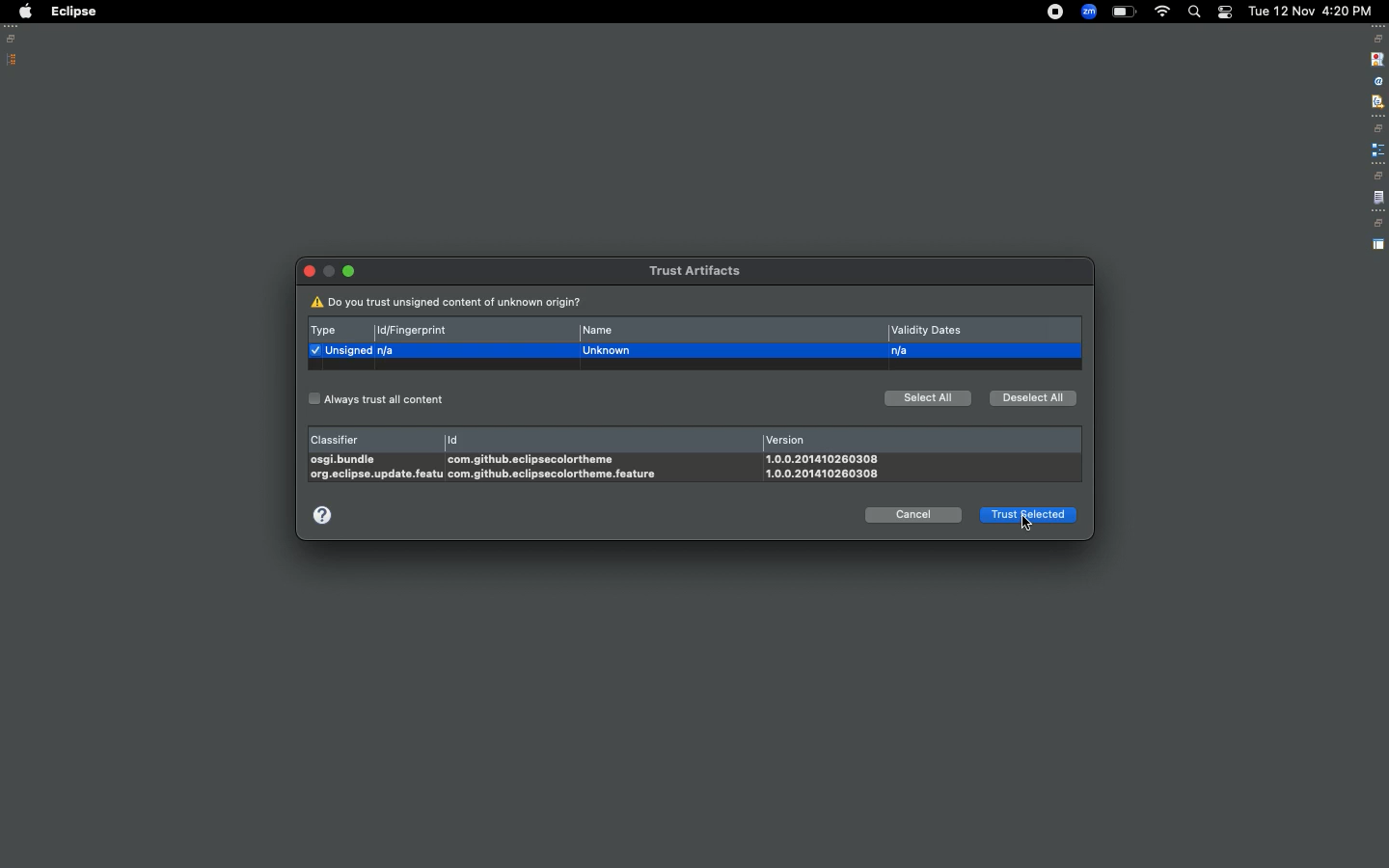 This screenshot has width=1389, height=868. Describe the element at coordinates (319, 351) in the screenshot. I see `Select` at that location.